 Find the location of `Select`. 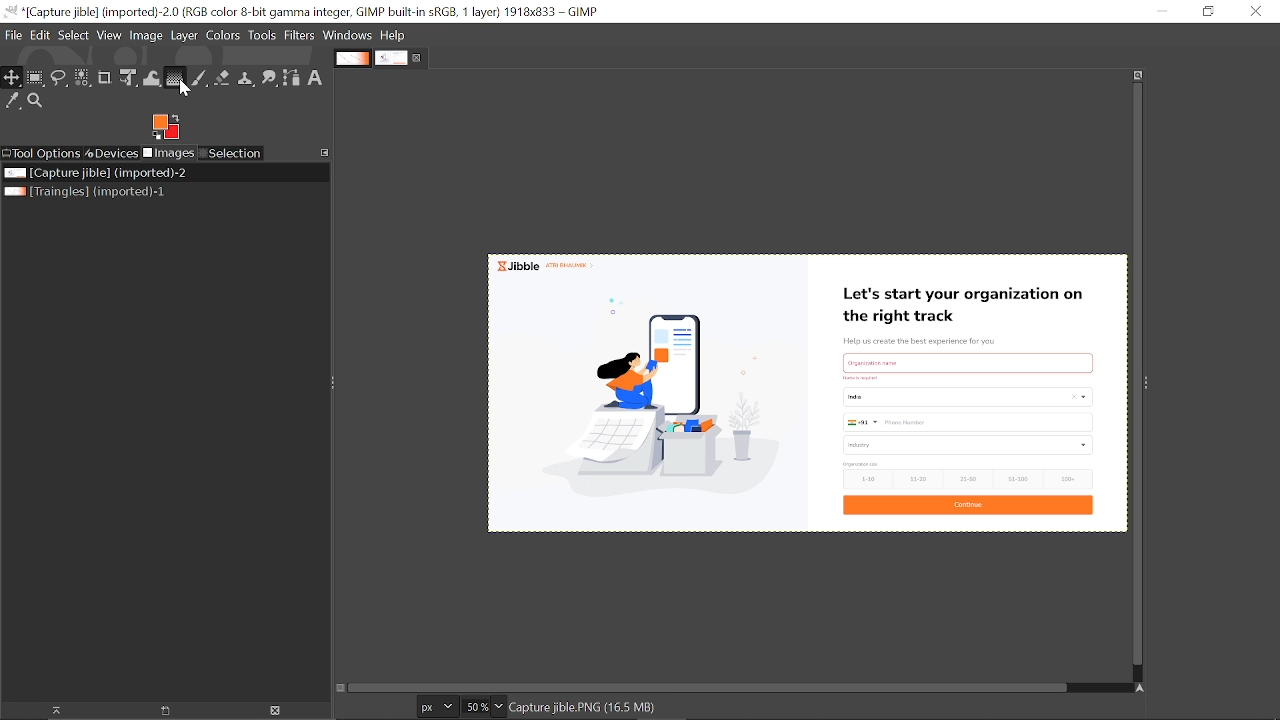

Select is located at coordinates (73, 36).